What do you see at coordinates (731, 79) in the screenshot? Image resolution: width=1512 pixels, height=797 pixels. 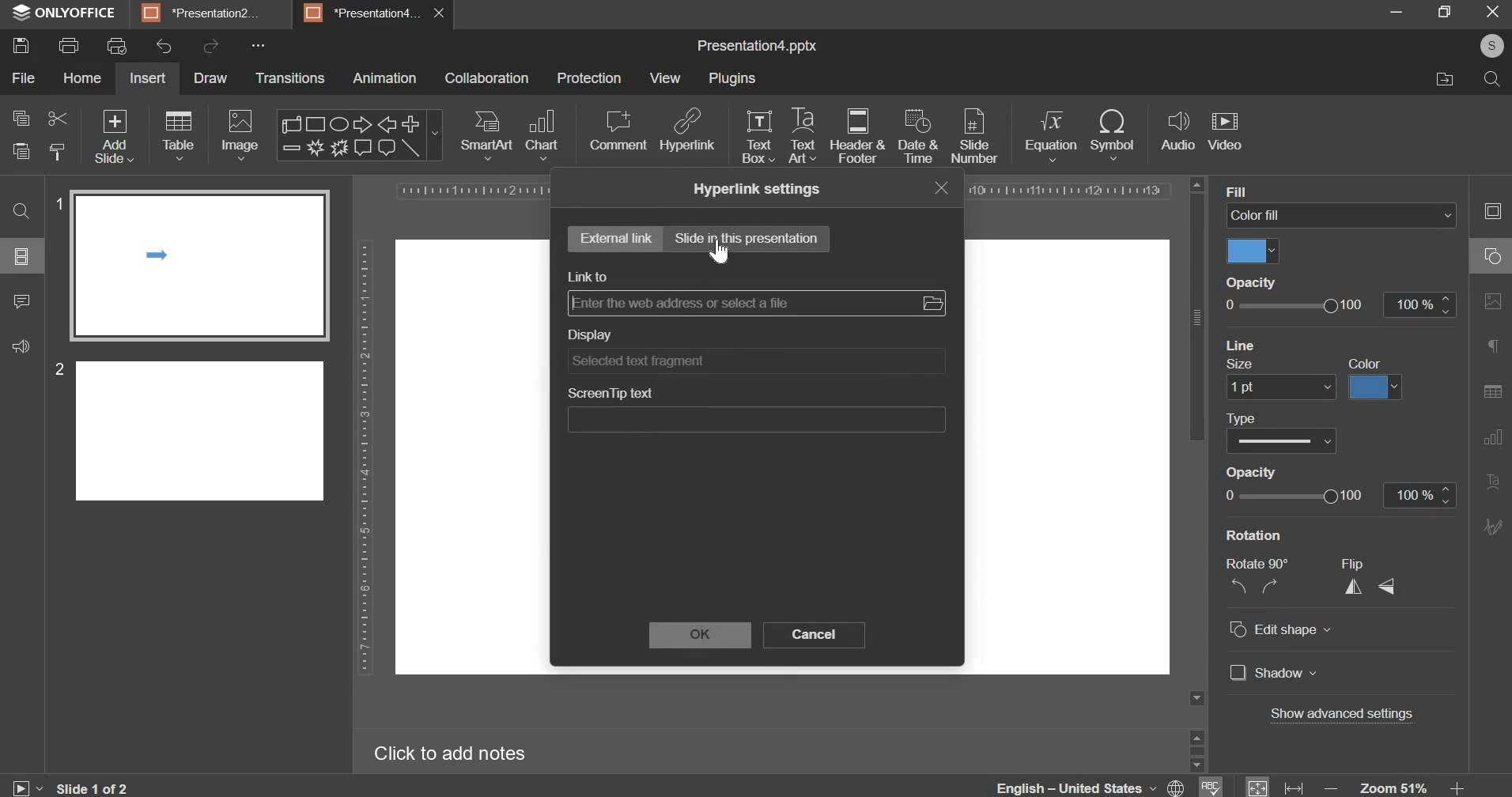 I see `plugins` at bounding box center [731, 79].